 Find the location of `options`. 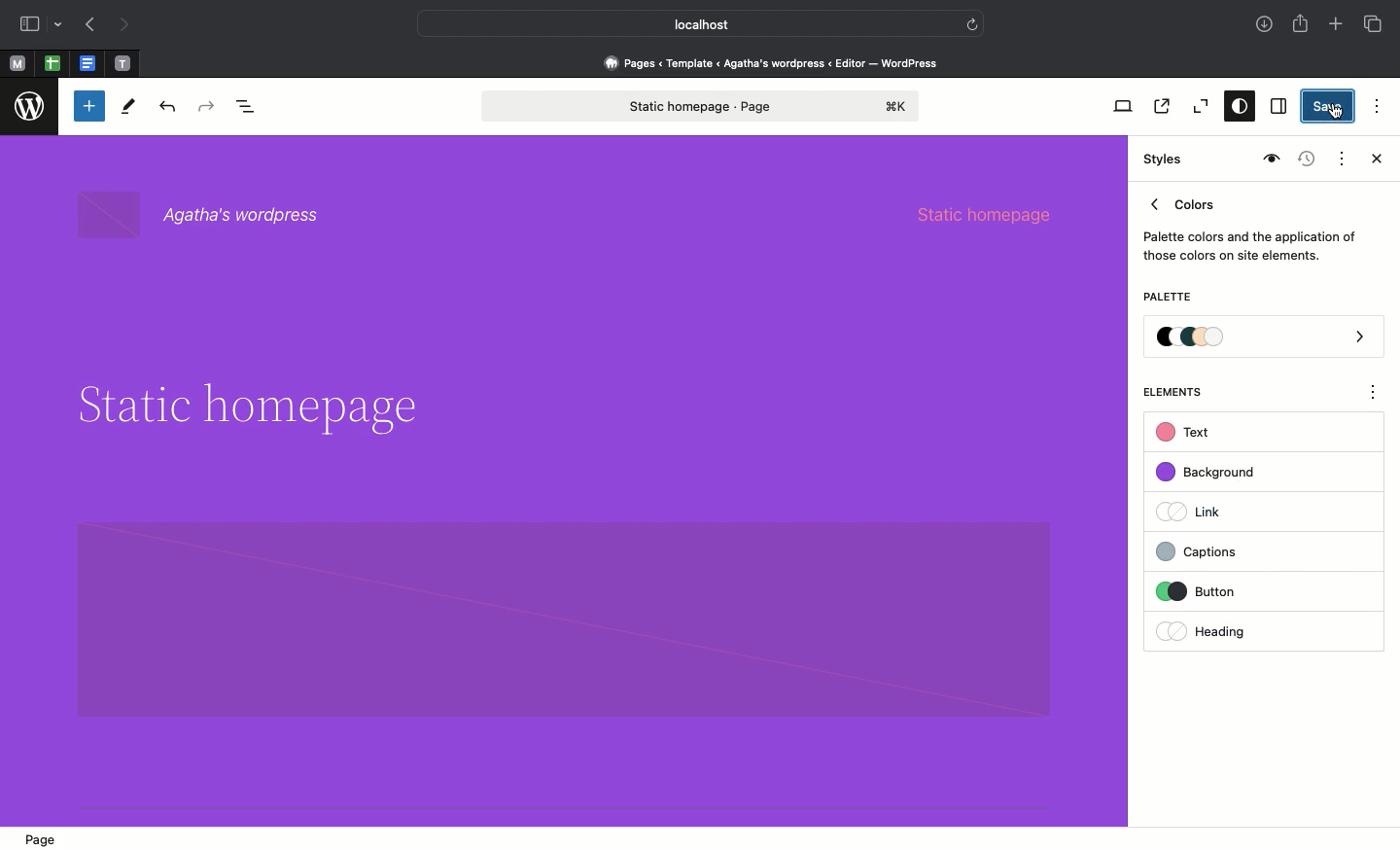

options is located at coordinates (1374, 395).